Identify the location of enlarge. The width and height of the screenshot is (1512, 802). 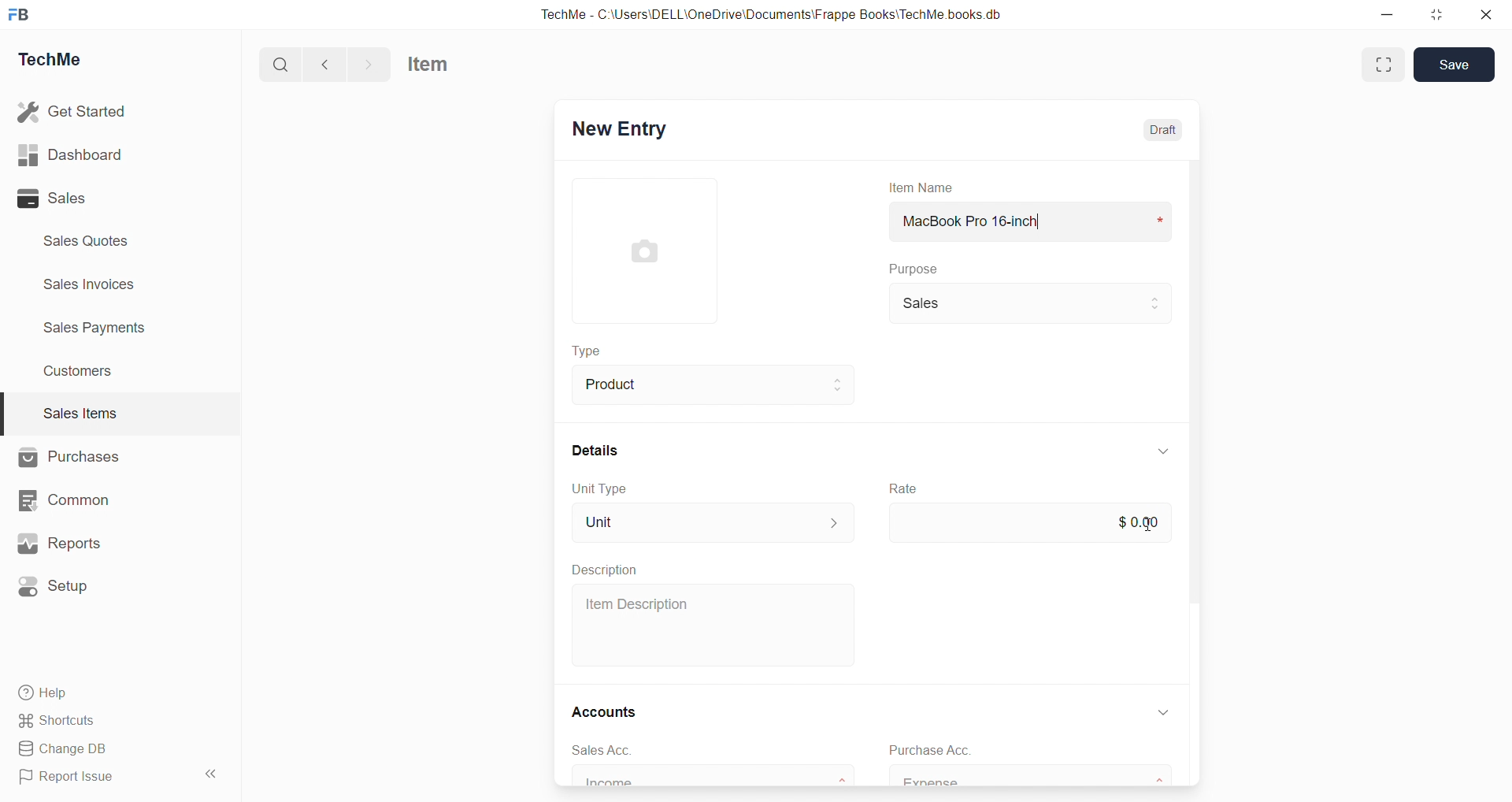
(1384, 65).